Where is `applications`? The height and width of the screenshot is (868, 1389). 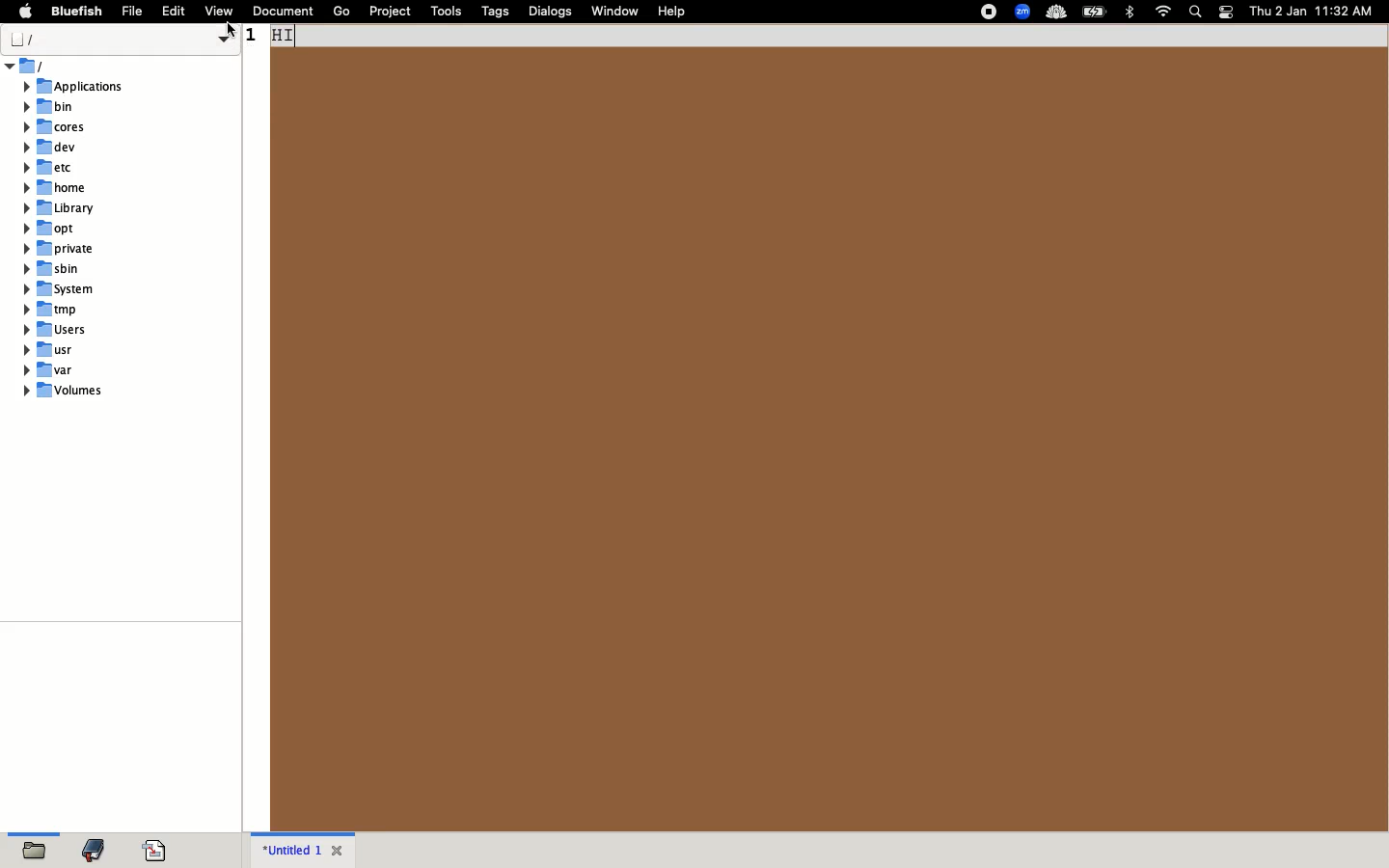
applications is located at coordinates (75, 88).